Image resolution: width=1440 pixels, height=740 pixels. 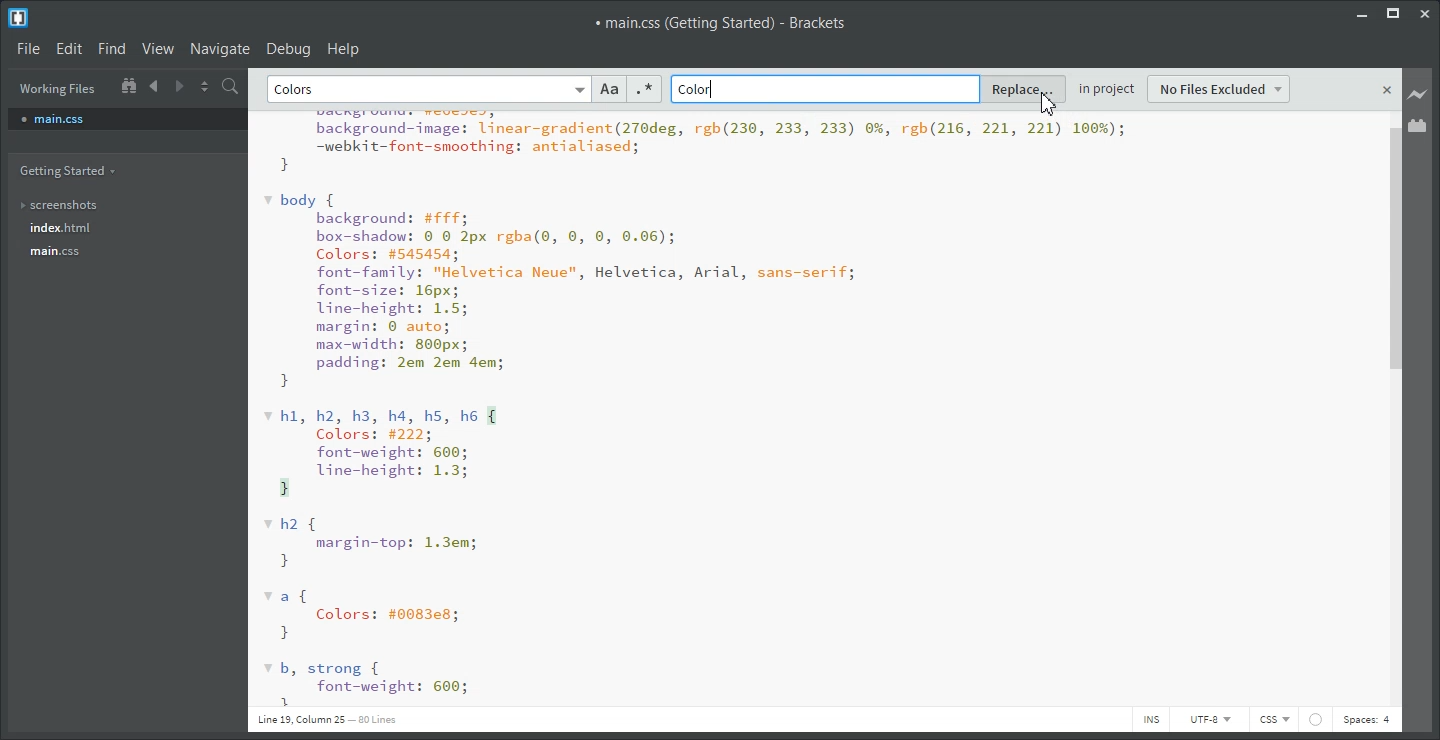 What do you see at coordinates (1392, 414) in the screenshot?
I see `Vertical Scroll bar` at bounding box center [1392, 414].